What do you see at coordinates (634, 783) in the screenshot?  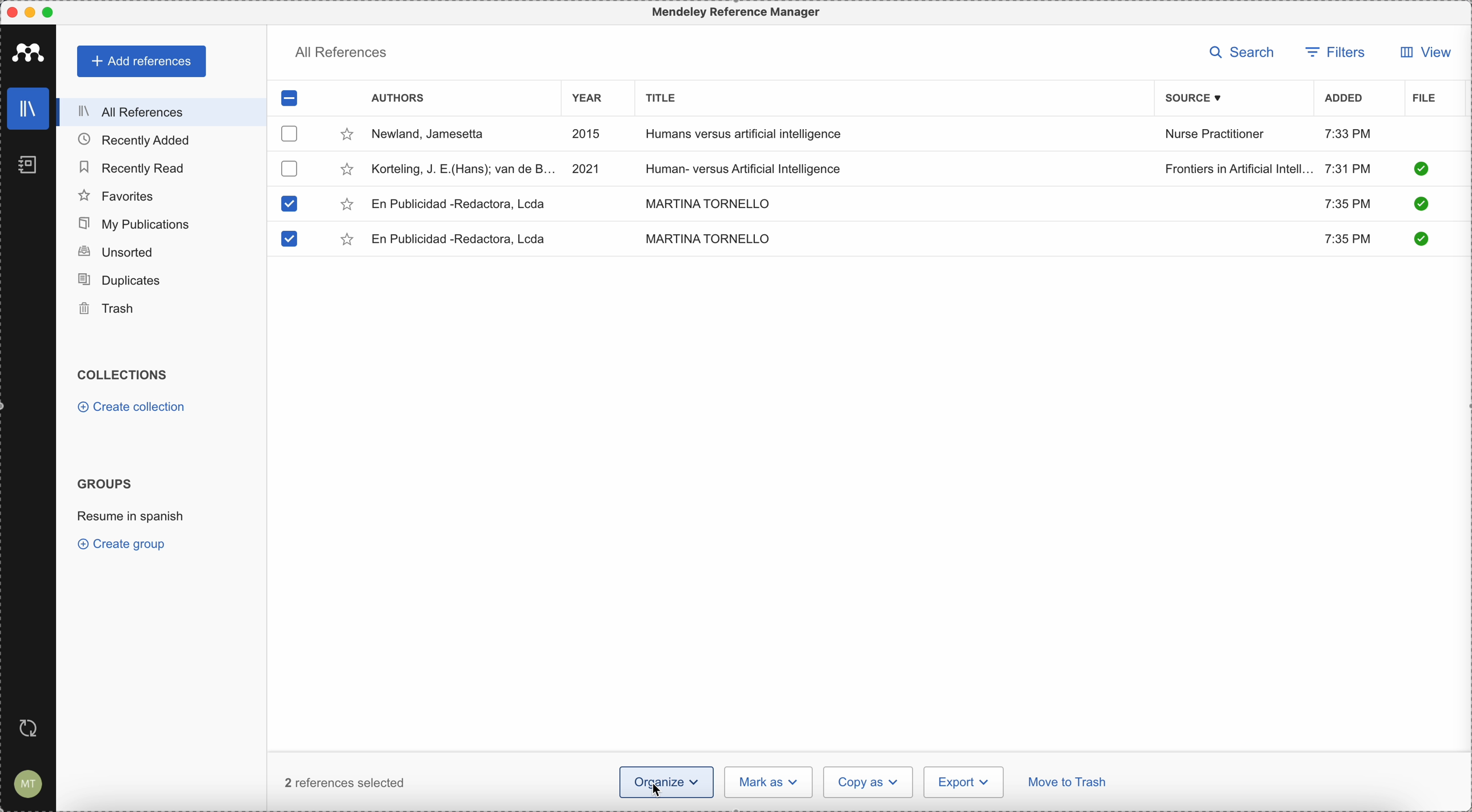 I see `organize` at bounding box center [634, 783].